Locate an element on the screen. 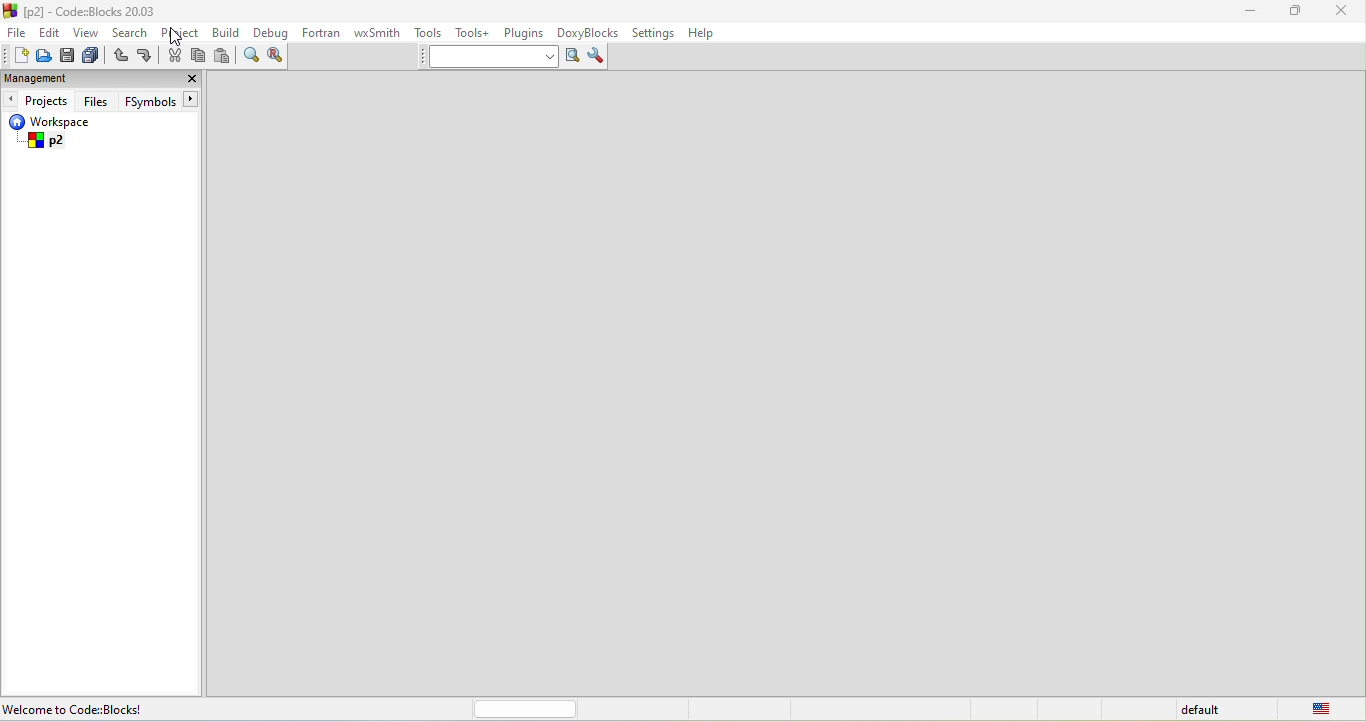 The image size is (1366, 722). united state is located at coordinates (1329, 710).